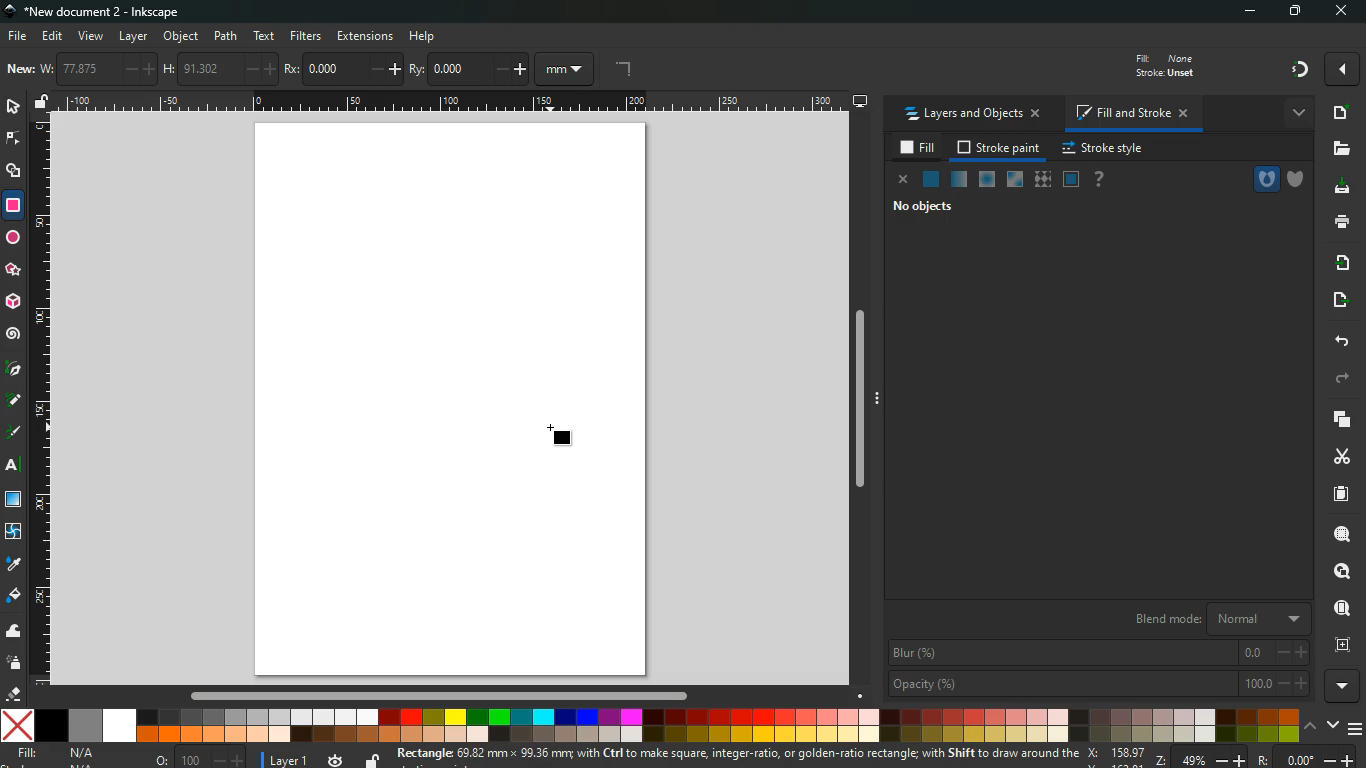  Describe the element at coordinates (1258, 180) in the screenshot. I see `hole` at that location.